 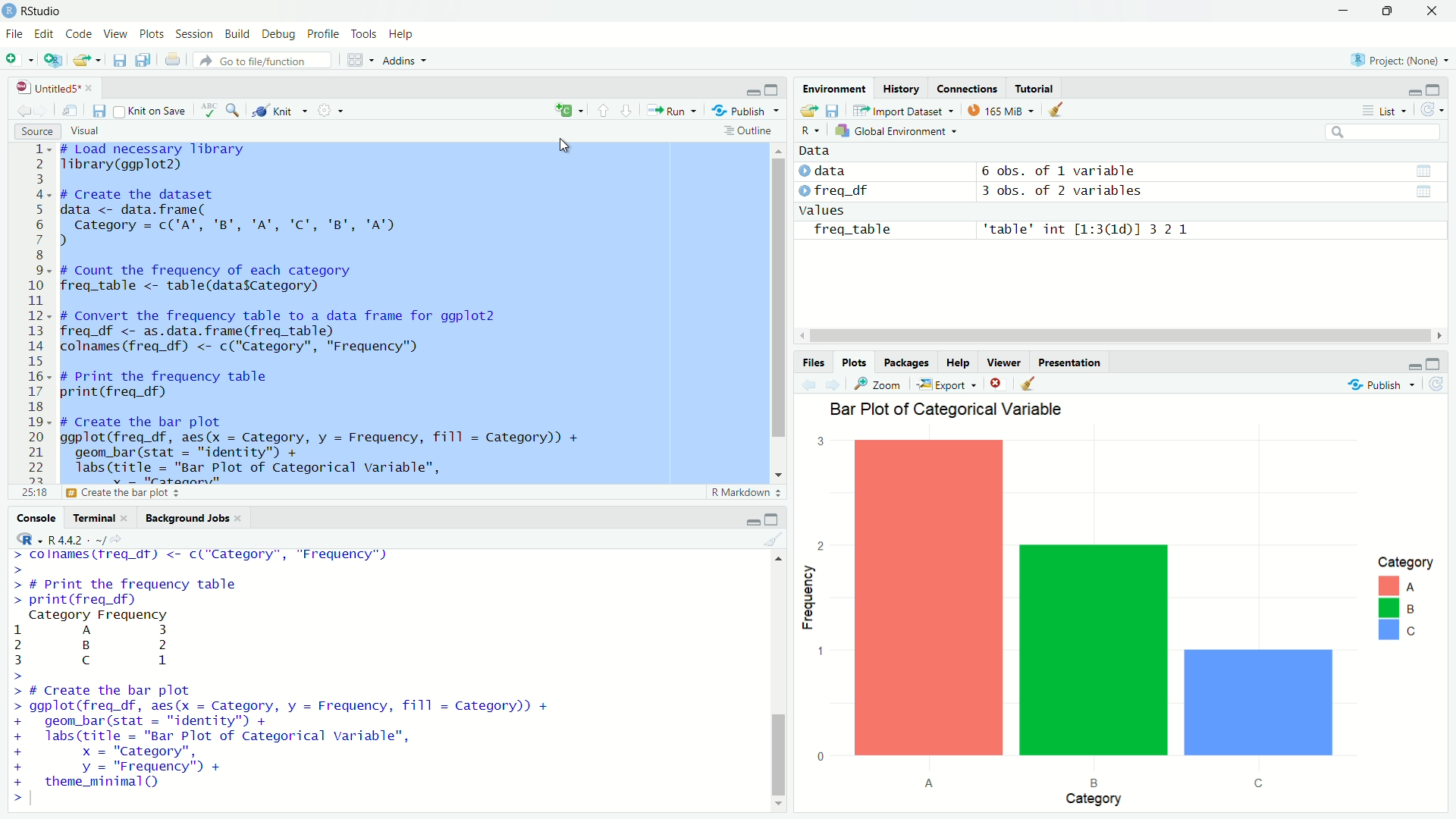 What do you see at coordinates (997, 383) in the screenshot?
I see `clear current plot` at bounding box center [997, 383].